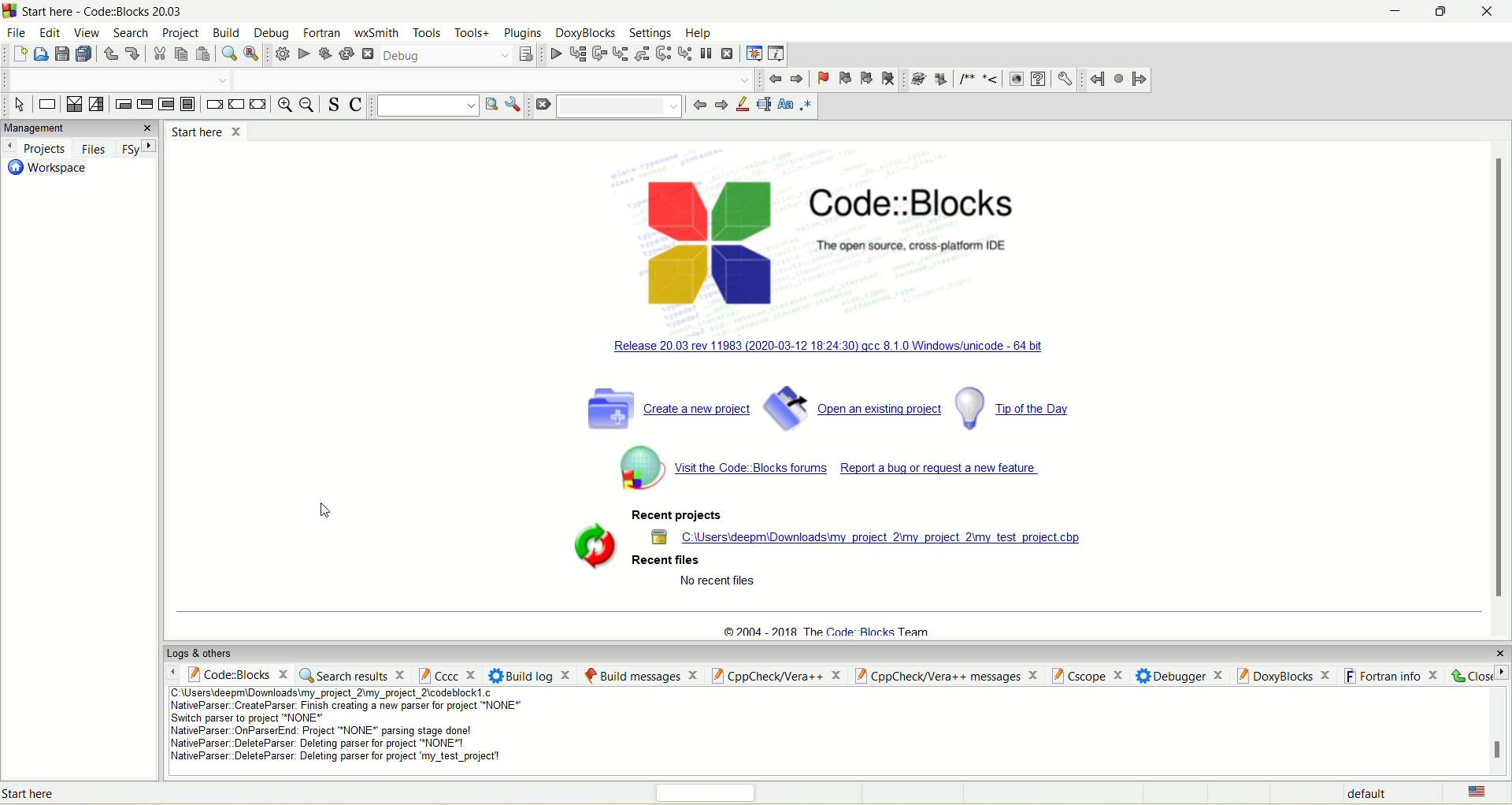 This screenshot has width=1512, height=805. I want to click on step into instruction, so click(686, 53).